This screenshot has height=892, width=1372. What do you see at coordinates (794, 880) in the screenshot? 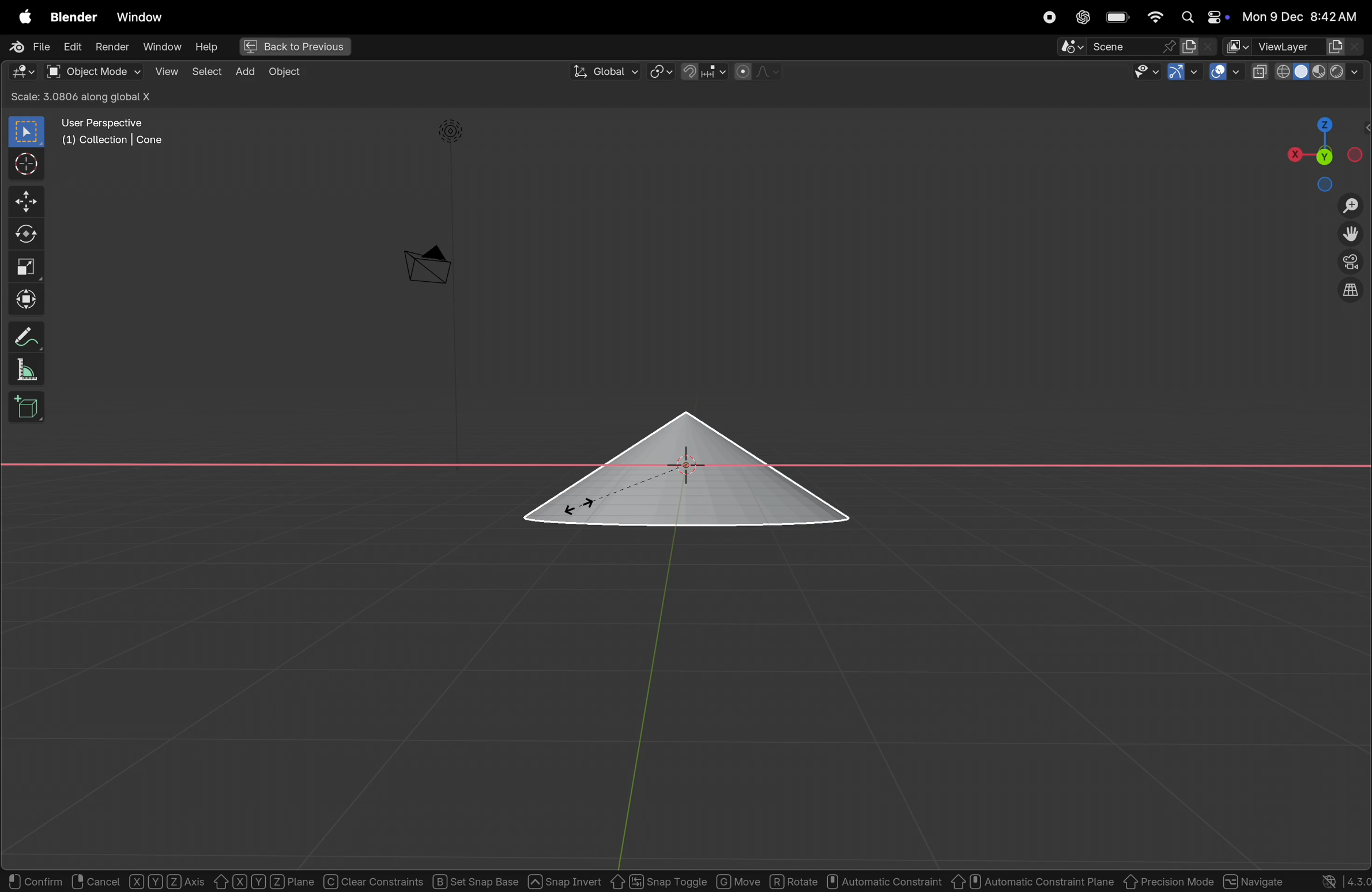
I see `rotate` at bounding box center [794, 880].